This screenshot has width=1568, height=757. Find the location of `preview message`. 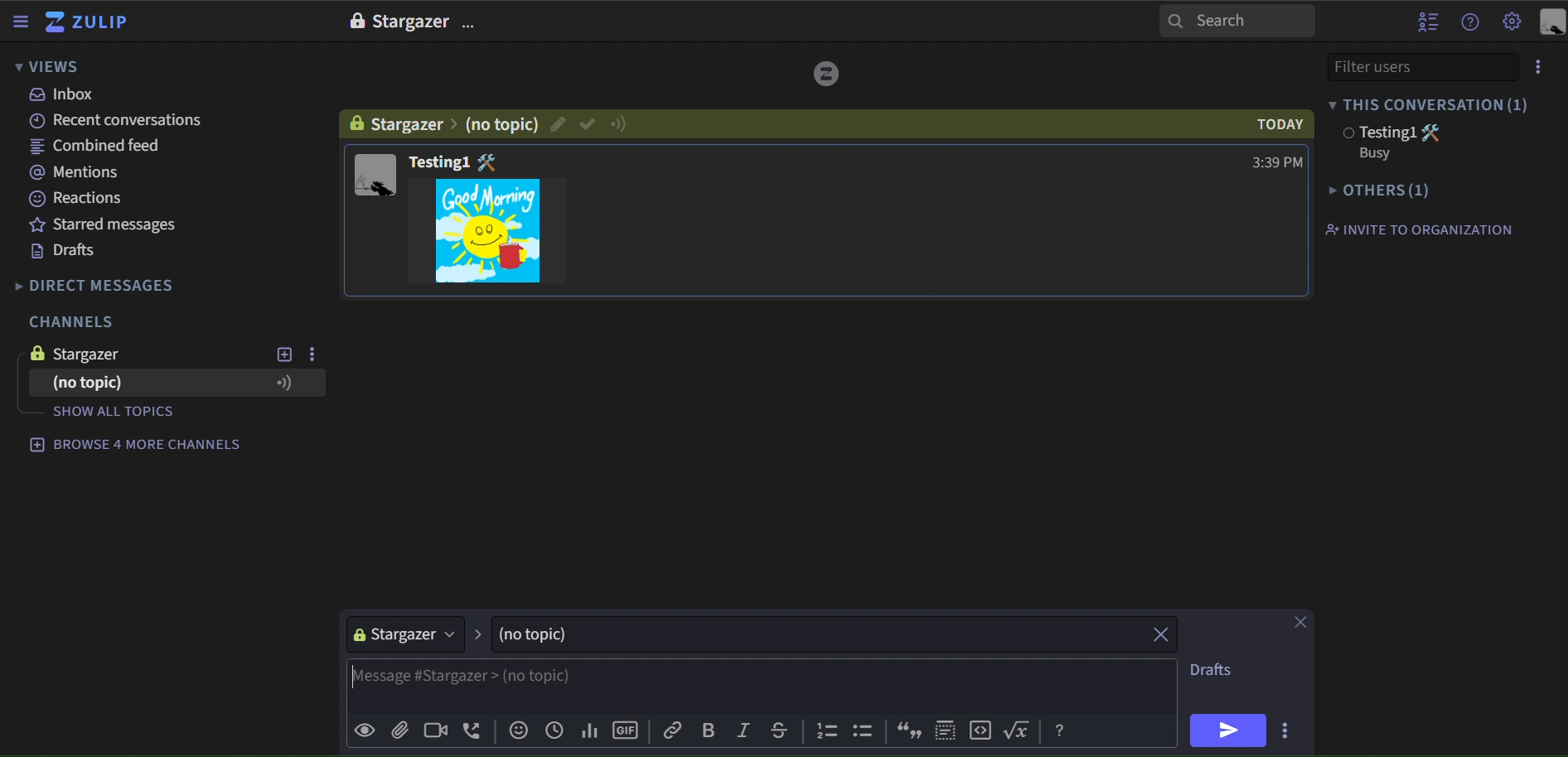

preview message is located at coordinates (365, 732).